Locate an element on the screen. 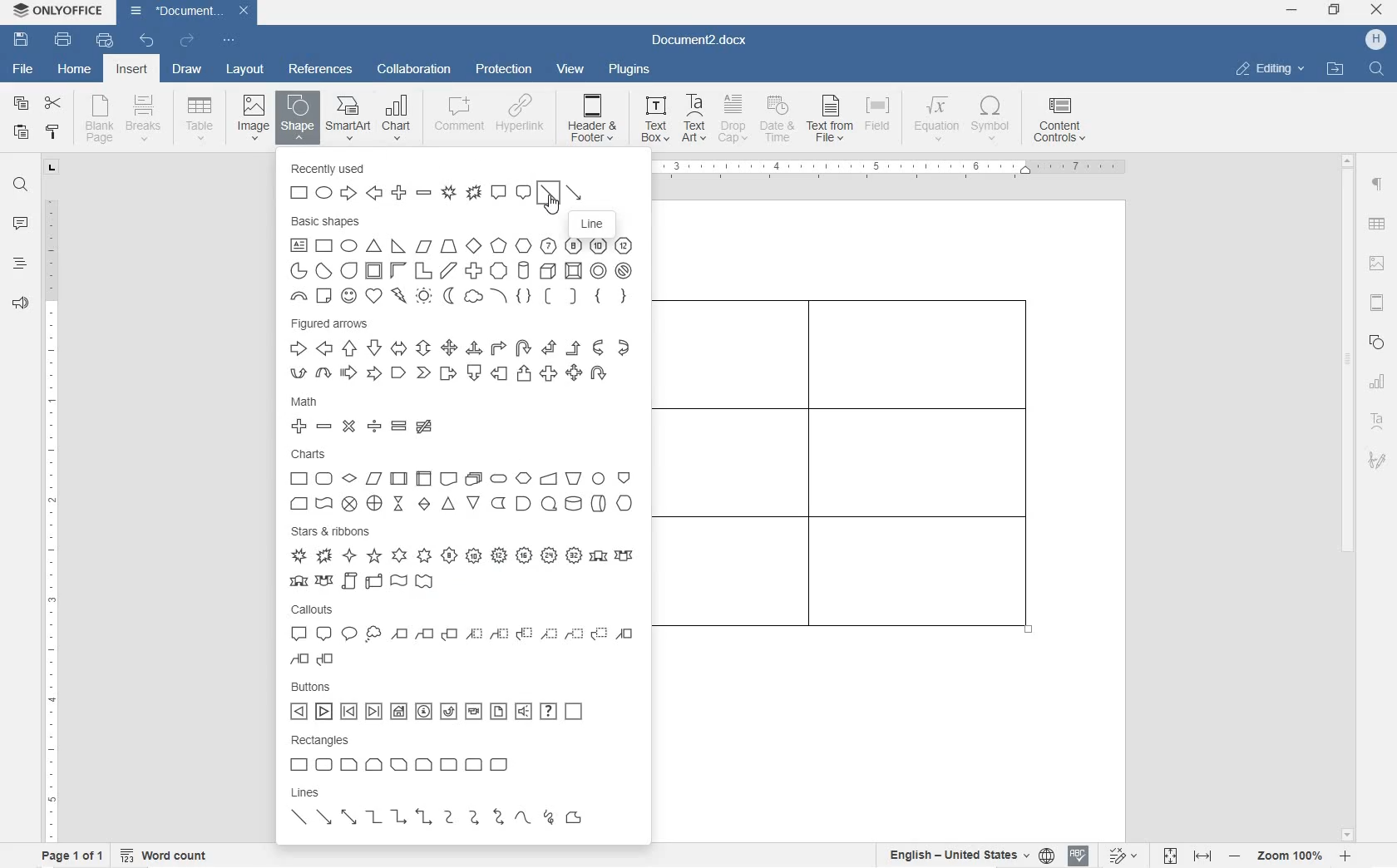  Recently used is located at coordinates (462, 182).